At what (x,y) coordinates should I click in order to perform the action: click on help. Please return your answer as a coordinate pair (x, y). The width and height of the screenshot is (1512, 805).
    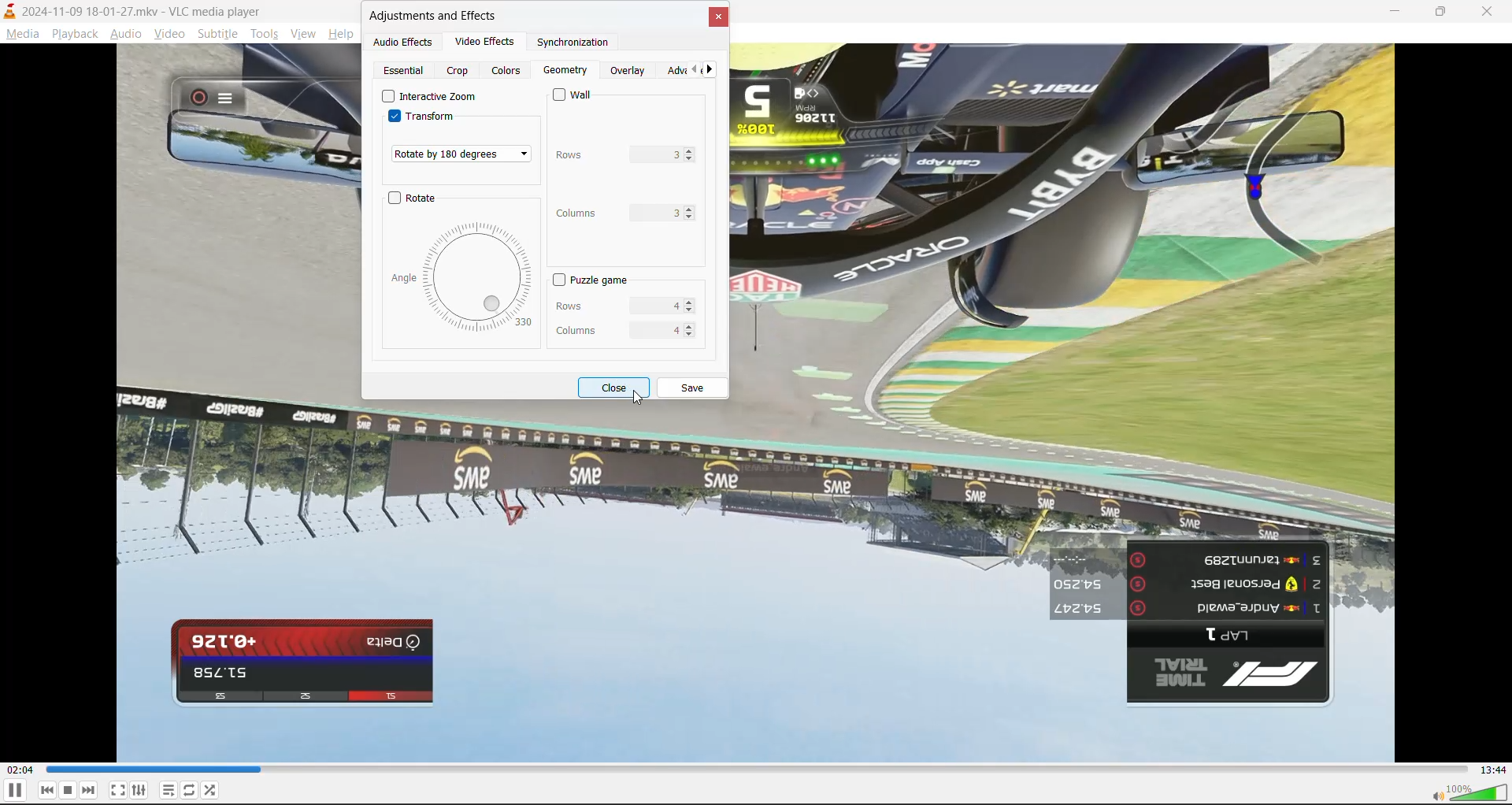
    Looking at the image, I should click on (340, 37).